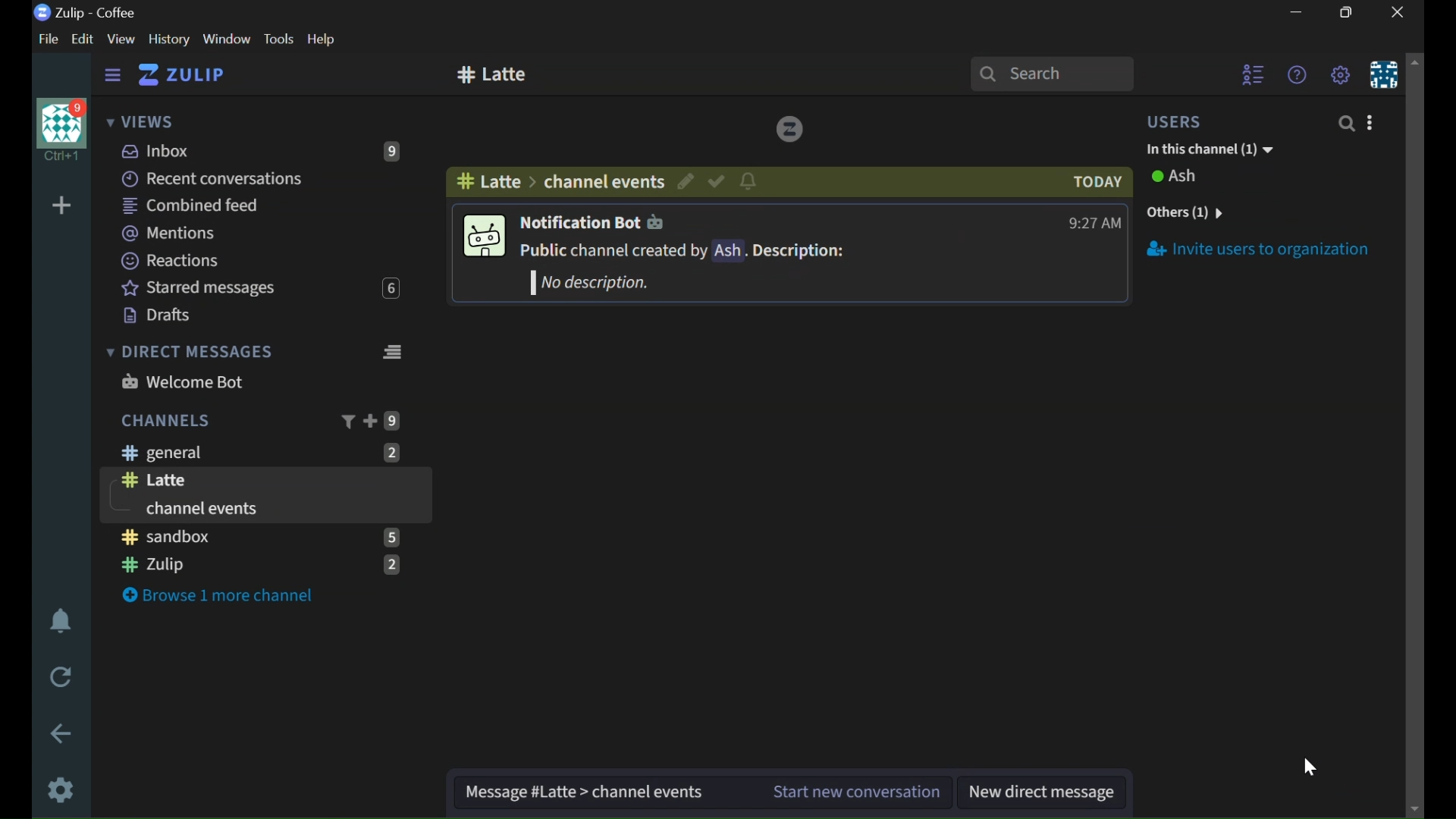 The width and height of the screenshot is (1456, 819). Describe the element at coordinates (369, 422) in the screenshot. I see `ADD CHANNEL` at that location.